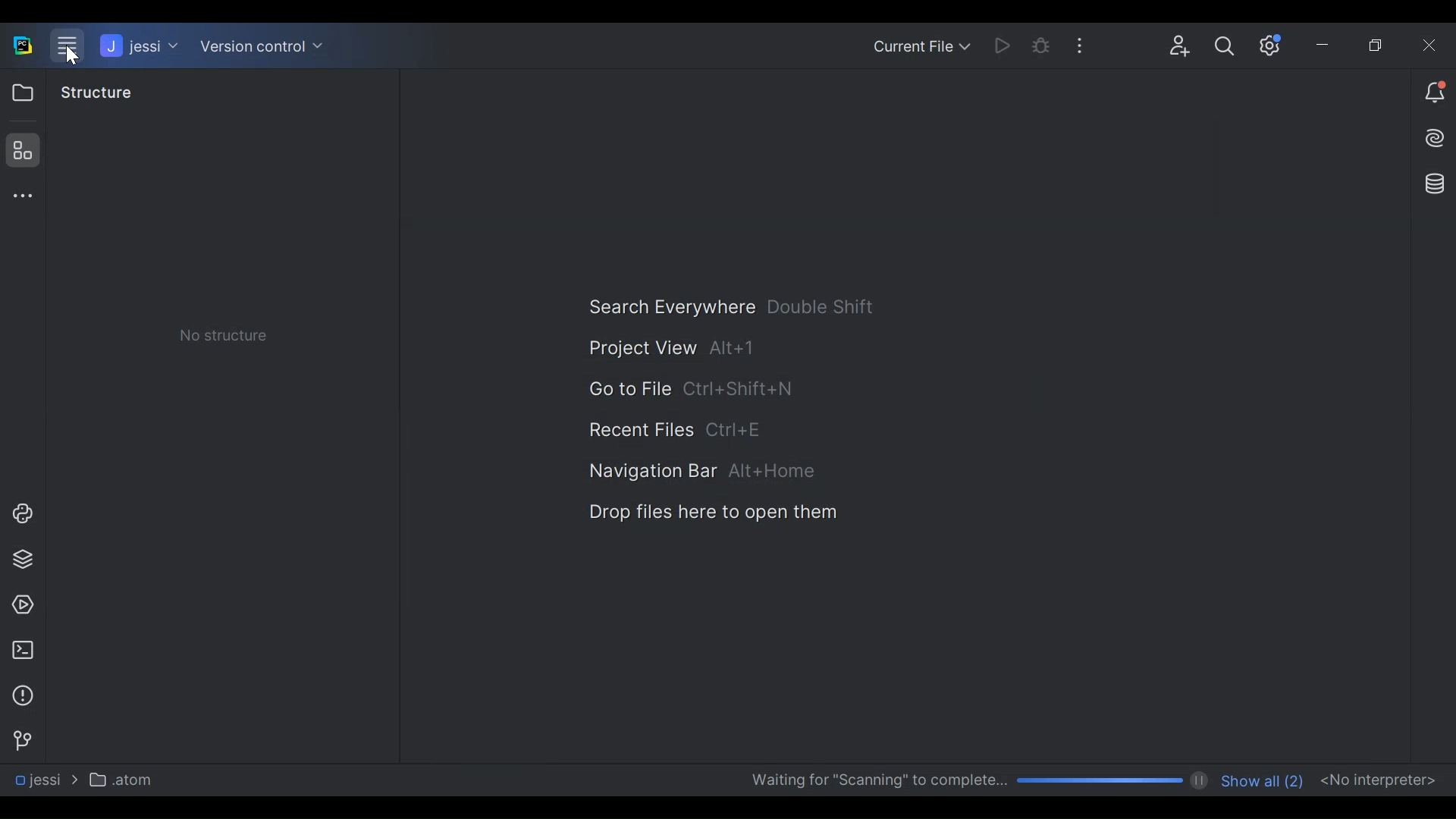 This screenshot has height=819, width=1456. Describe the element at coordinates (1431, 182) in the screenshot. I see `Database` at that location.